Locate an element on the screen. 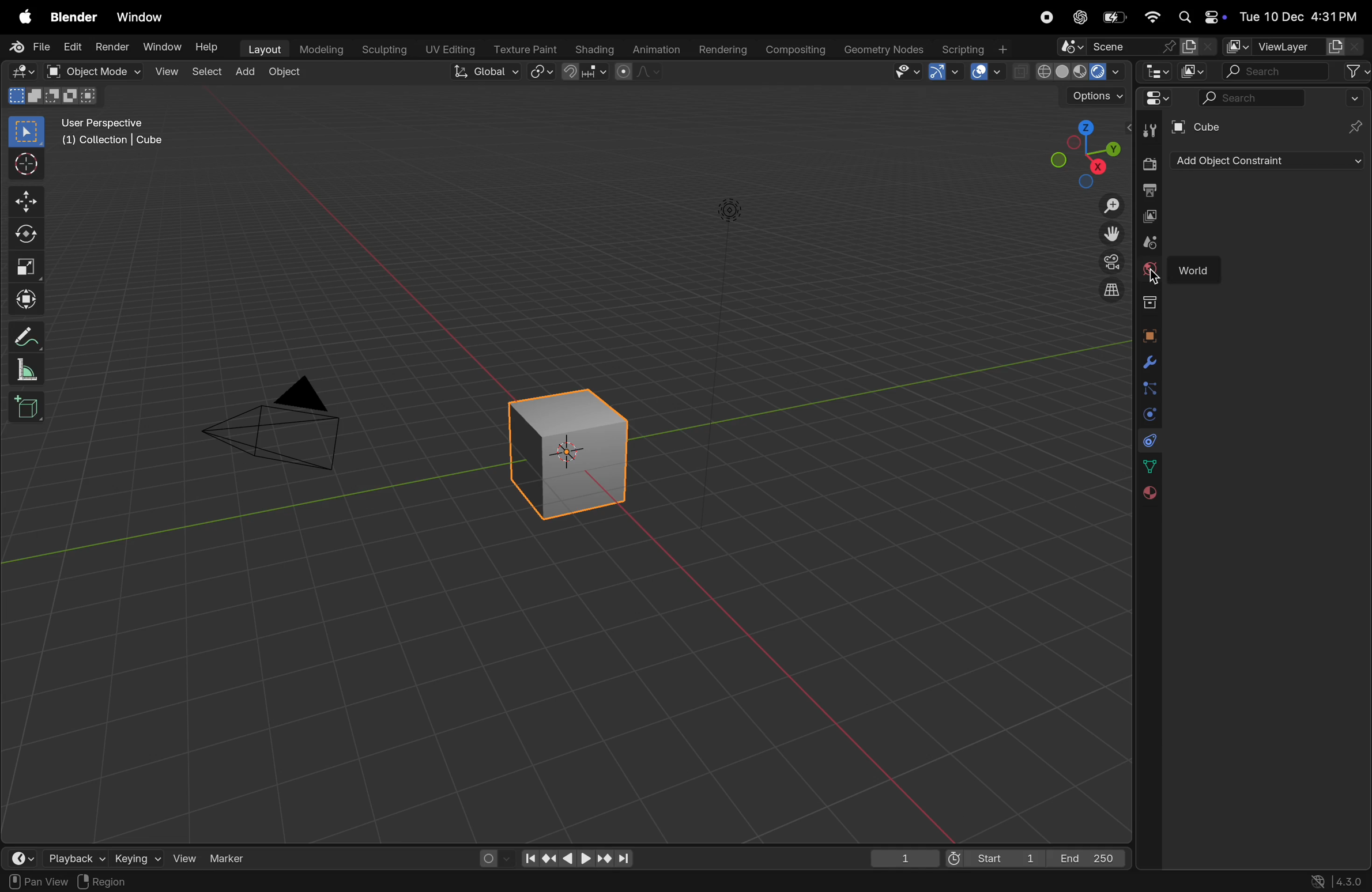  date and time is located at coordinates (1298, 13).